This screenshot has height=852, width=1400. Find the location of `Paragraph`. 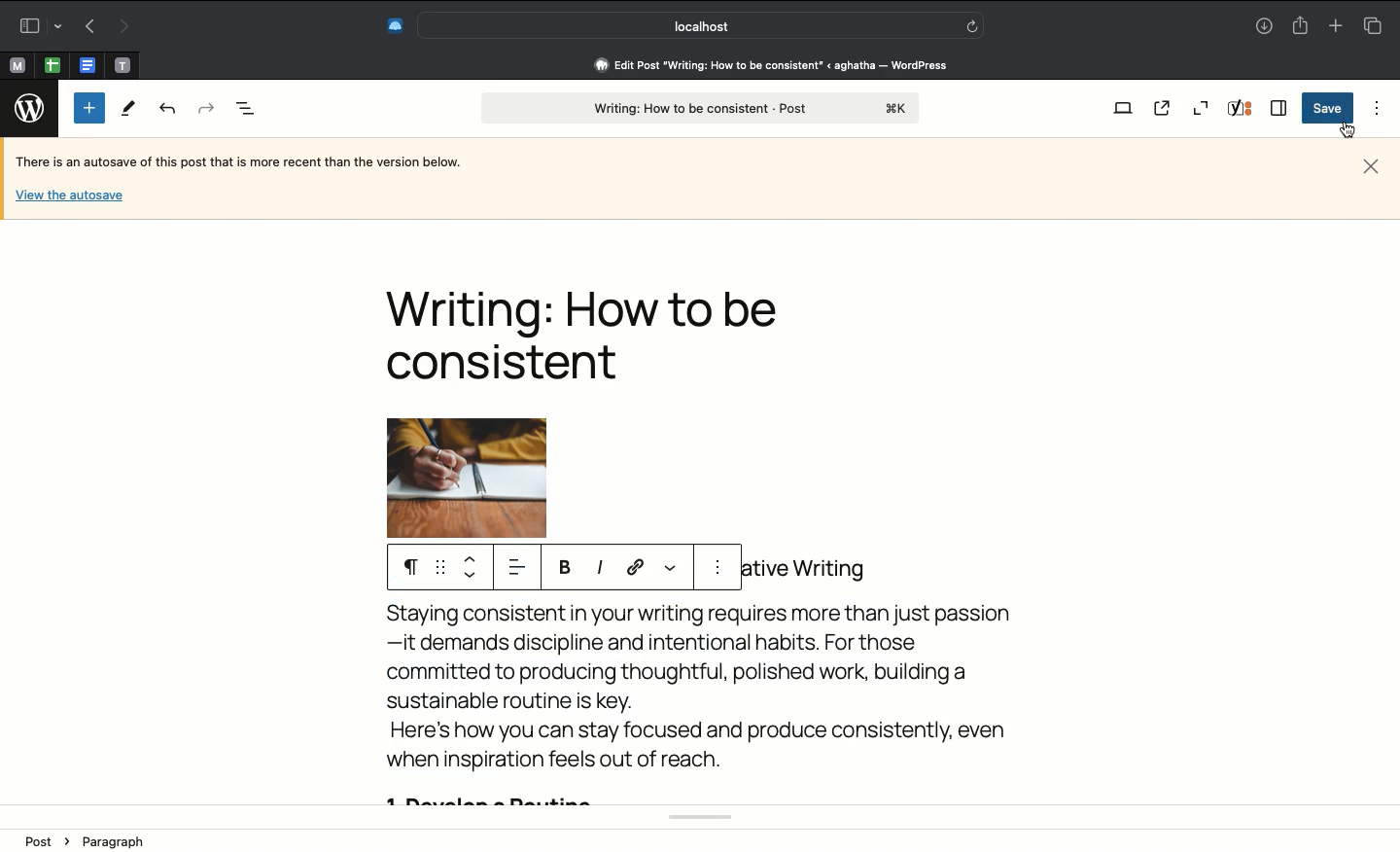

Paragraph is located at coordinates (112, 841).